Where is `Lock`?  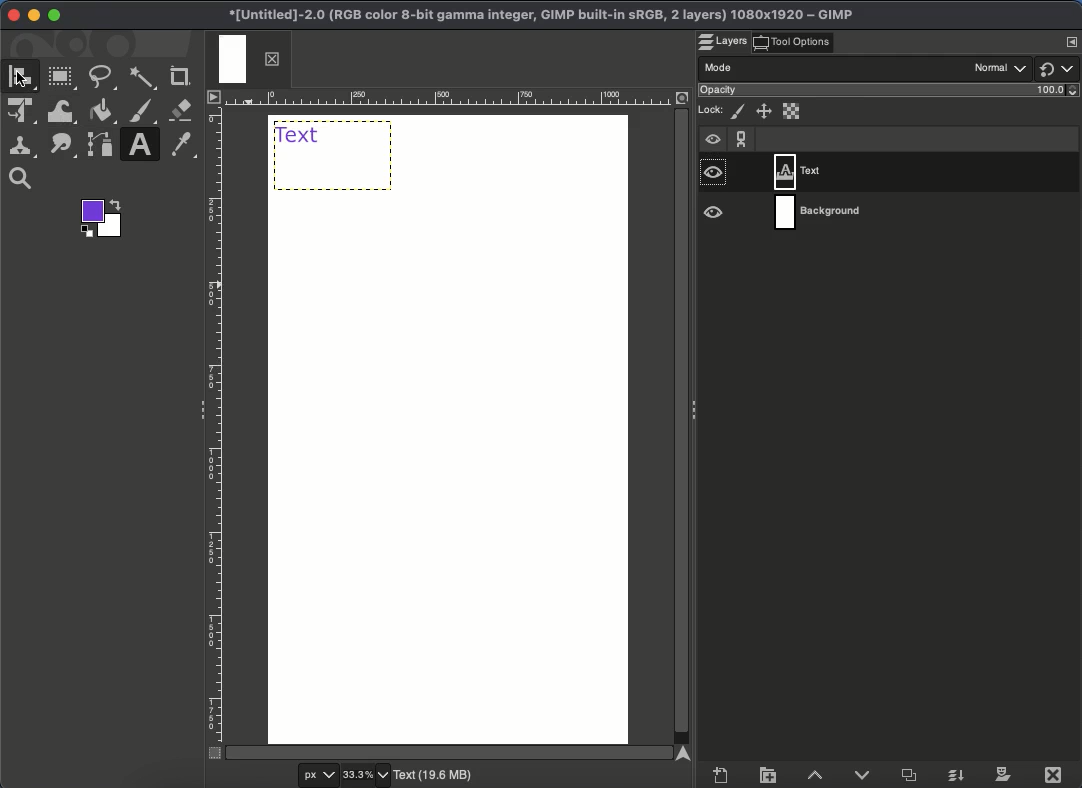 Lock is located at coordinates (712, 113).